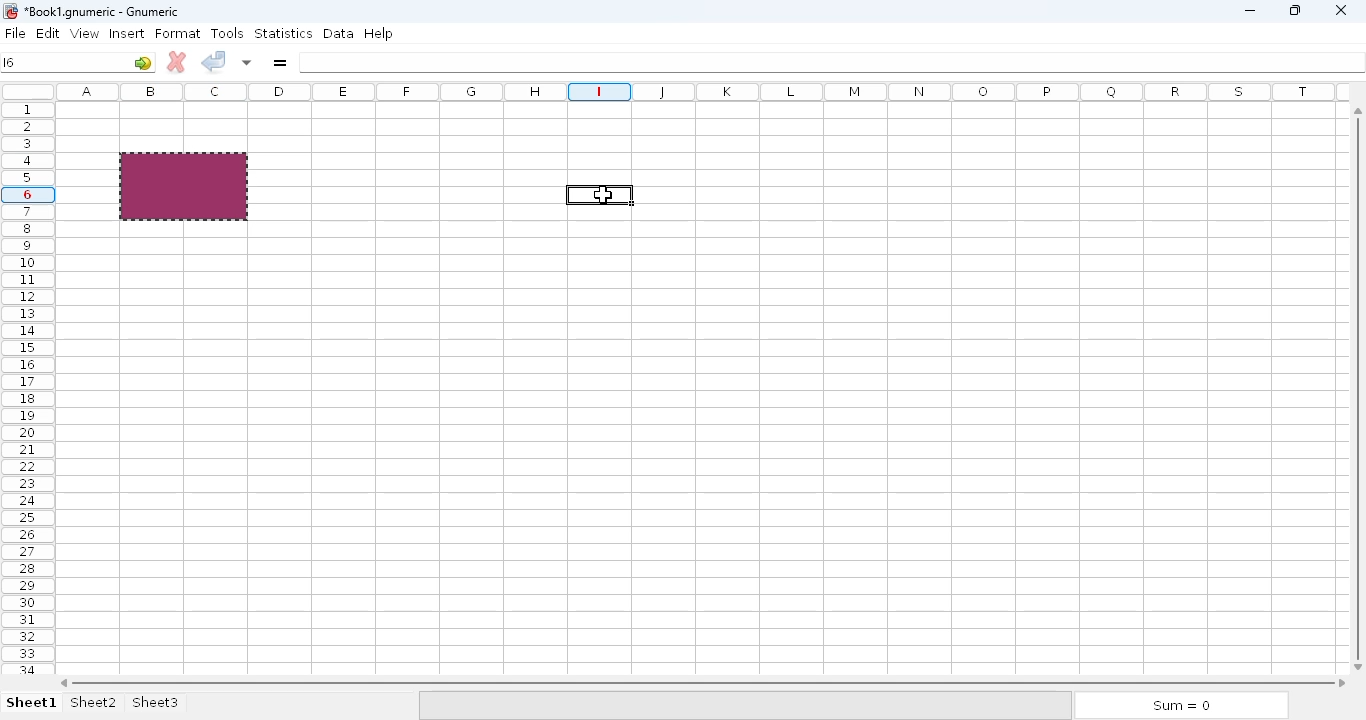  What do you see at coordinates (31, 702) in the screenshot?
I see `sheet 1` at bounding box center [31, 702].